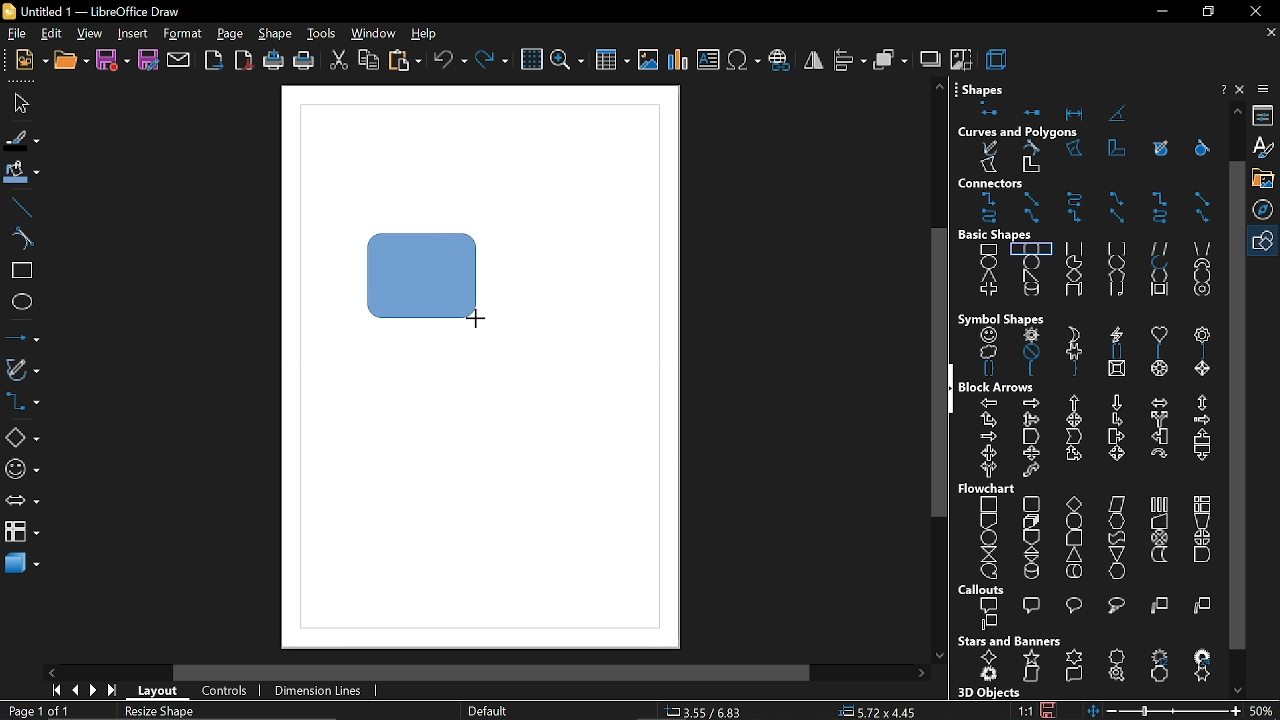 The width and height of the screenshot is (1280, 720). What do you see at coordinates (921, 674) in the screenshot?
I see `move right` at bounding box center [921, 674].